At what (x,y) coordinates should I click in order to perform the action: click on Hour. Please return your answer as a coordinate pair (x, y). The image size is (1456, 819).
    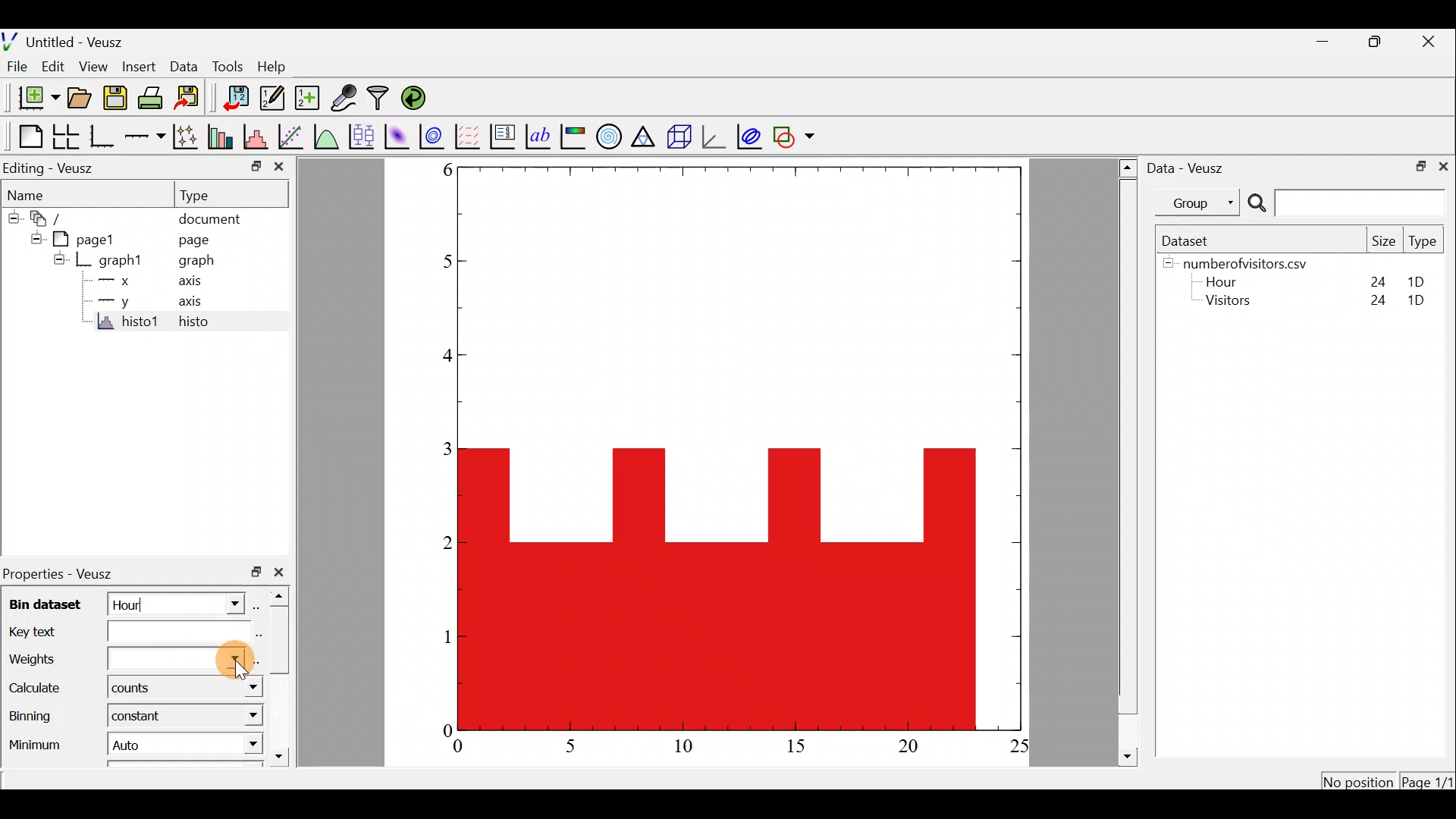
    Looking at the image, I should click on (145, 604).